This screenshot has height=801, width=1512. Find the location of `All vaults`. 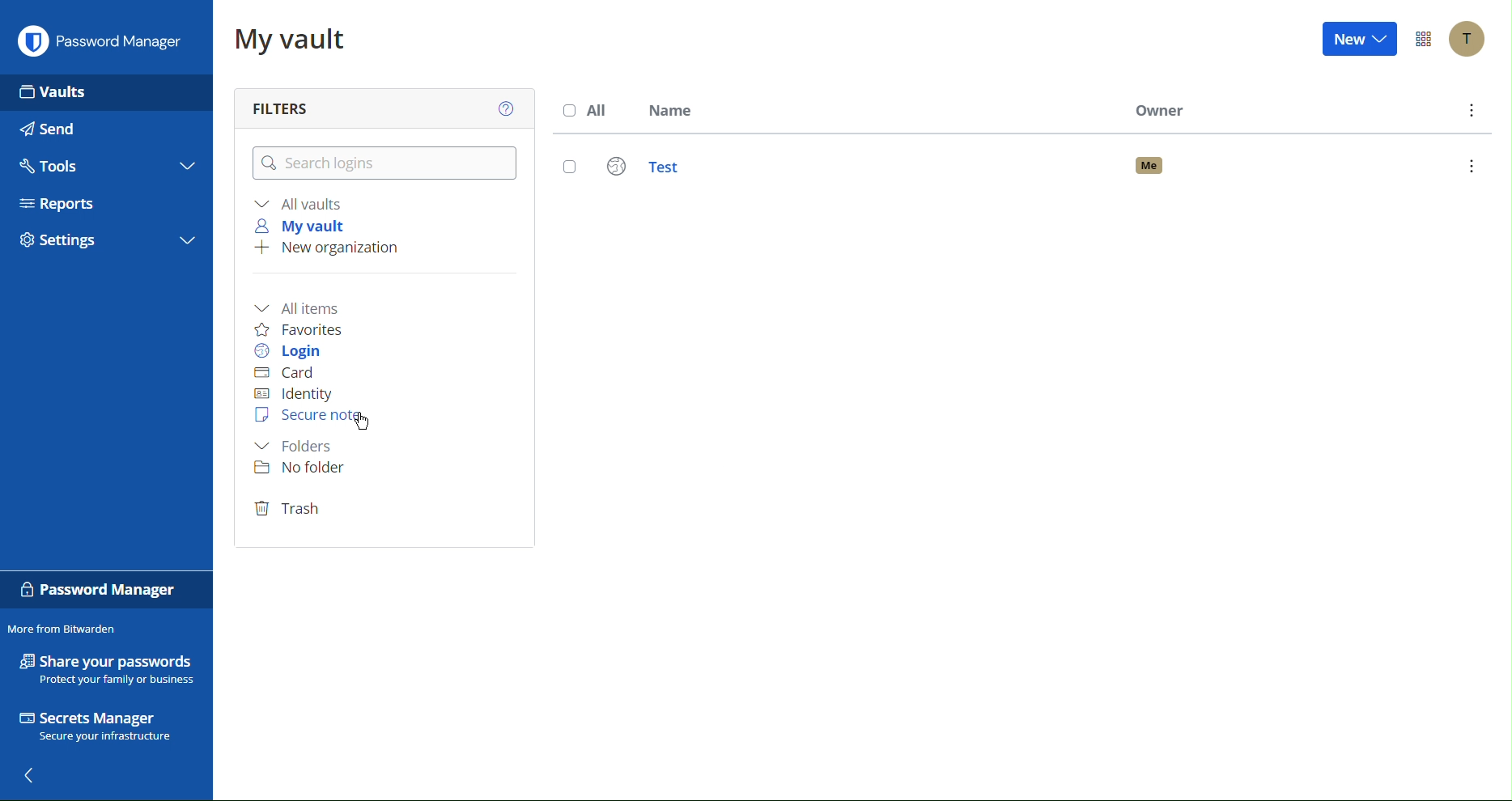

All vaults is located at coordinates (299, 203).